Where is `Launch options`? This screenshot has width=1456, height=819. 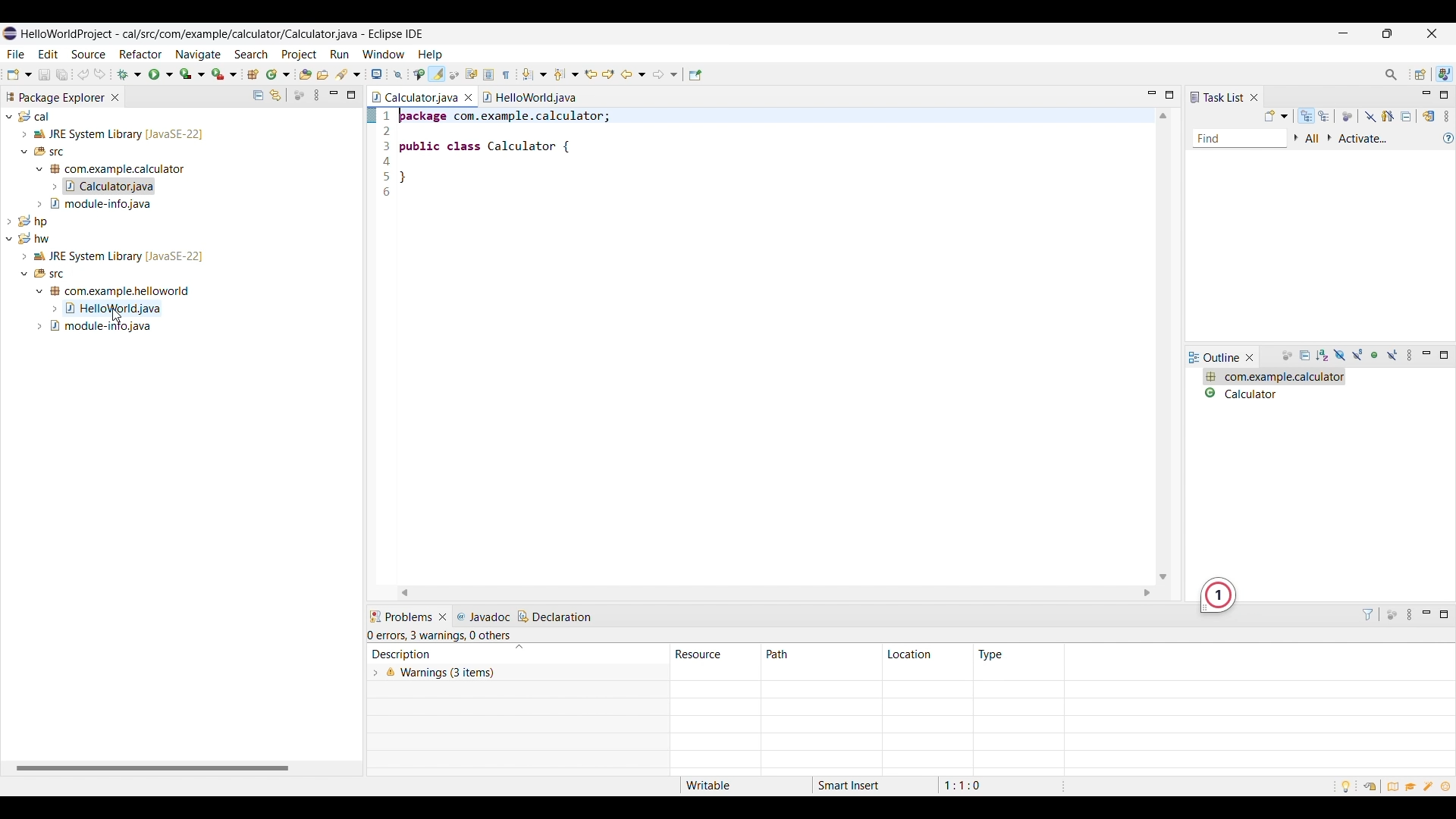
Launch options is located at coordinates (193, 74).